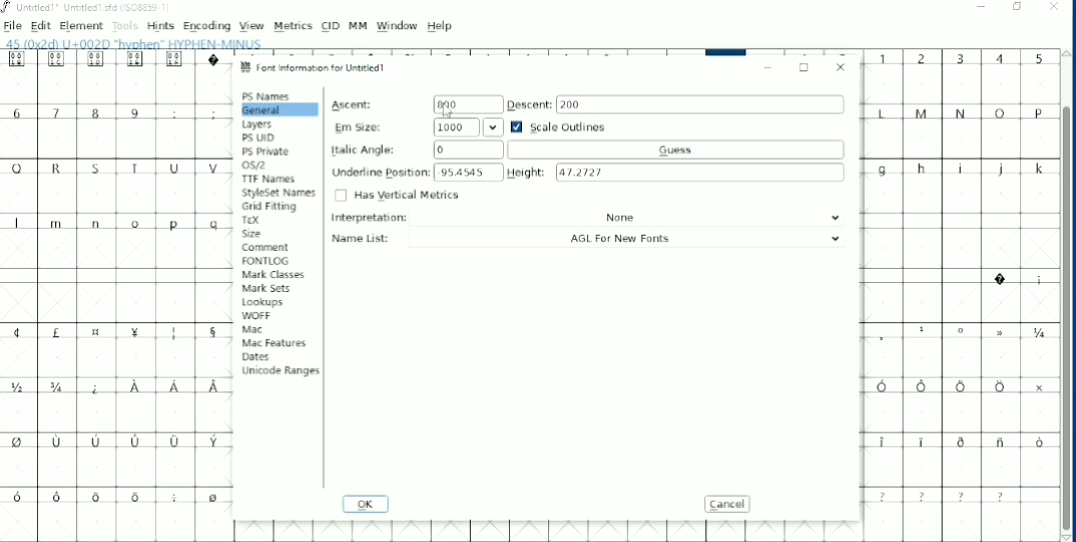 This screenshot has width=1076, height=542. Describe the element at coordinates (805, 68) in the screenshot. I see `Maximize` at that location.